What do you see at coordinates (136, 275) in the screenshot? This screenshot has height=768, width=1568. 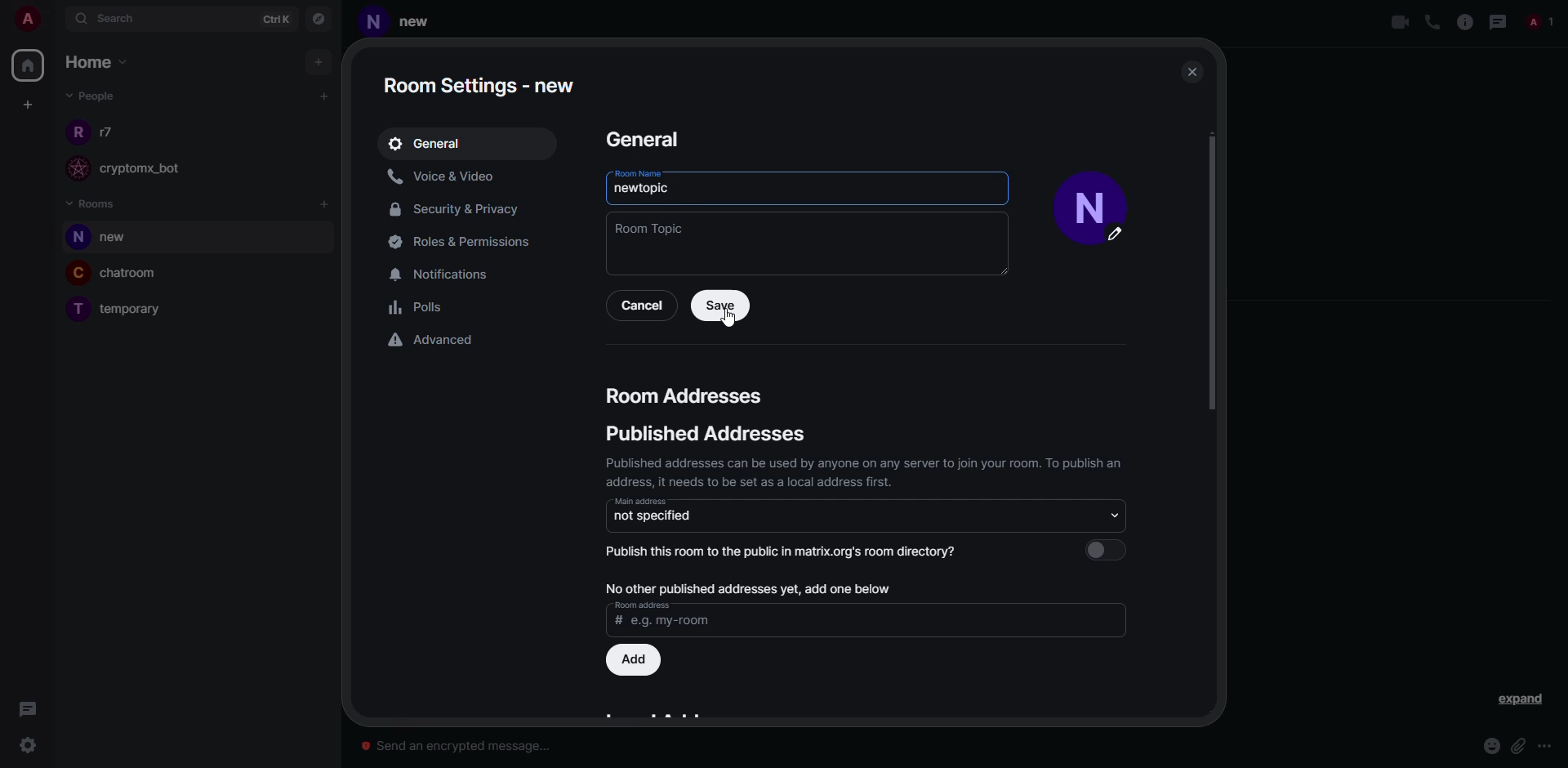 I see `room` at bounding box center [136, 275].